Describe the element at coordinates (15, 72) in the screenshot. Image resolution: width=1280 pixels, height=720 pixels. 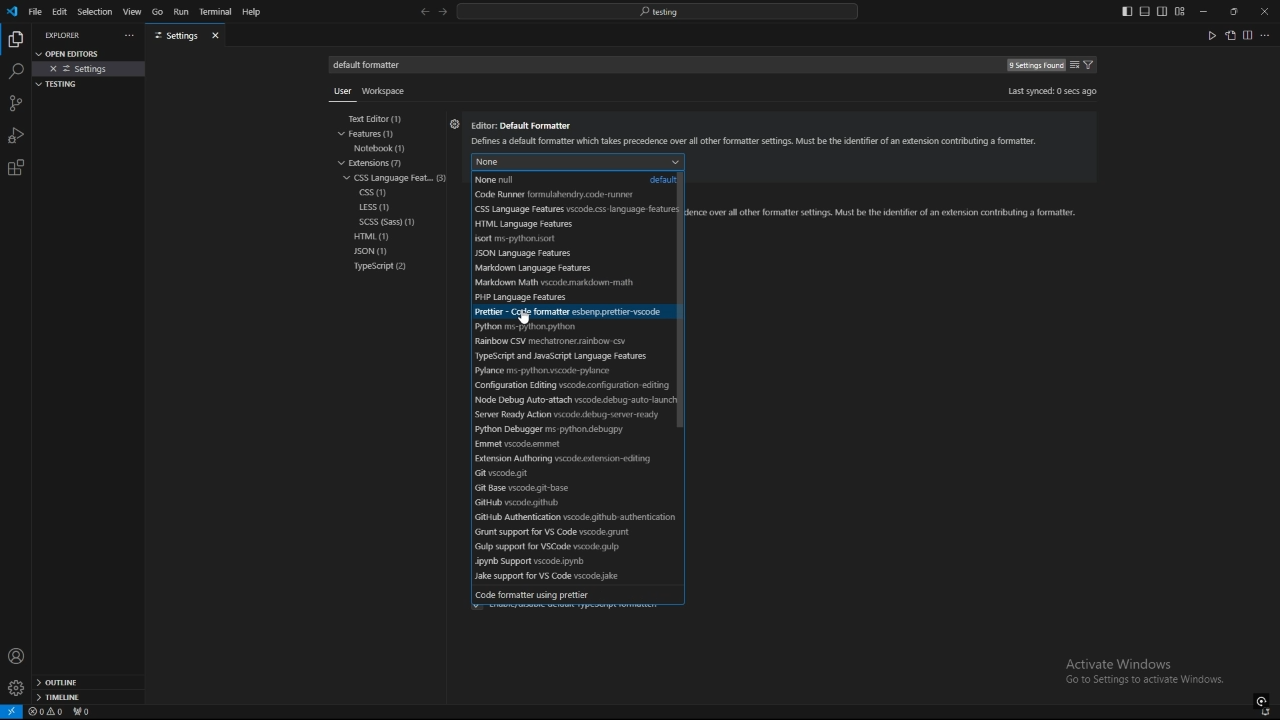
I see `search` at that location.